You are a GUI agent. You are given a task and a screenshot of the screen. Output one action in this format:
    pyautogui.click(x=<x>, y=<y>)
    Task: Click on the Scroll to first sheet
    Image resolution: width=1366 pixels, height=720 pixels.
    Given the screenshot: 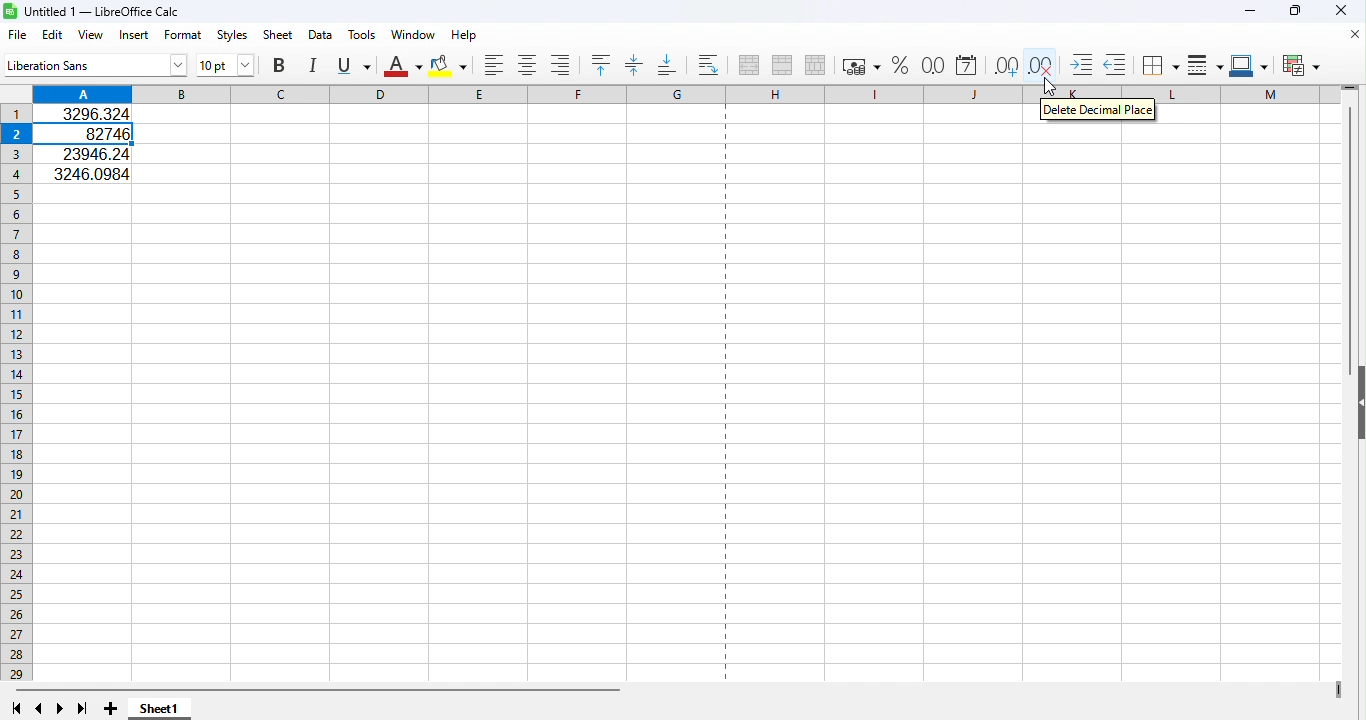 What is the action you would take?
    pyautogui.click(x=17, y=708)
    